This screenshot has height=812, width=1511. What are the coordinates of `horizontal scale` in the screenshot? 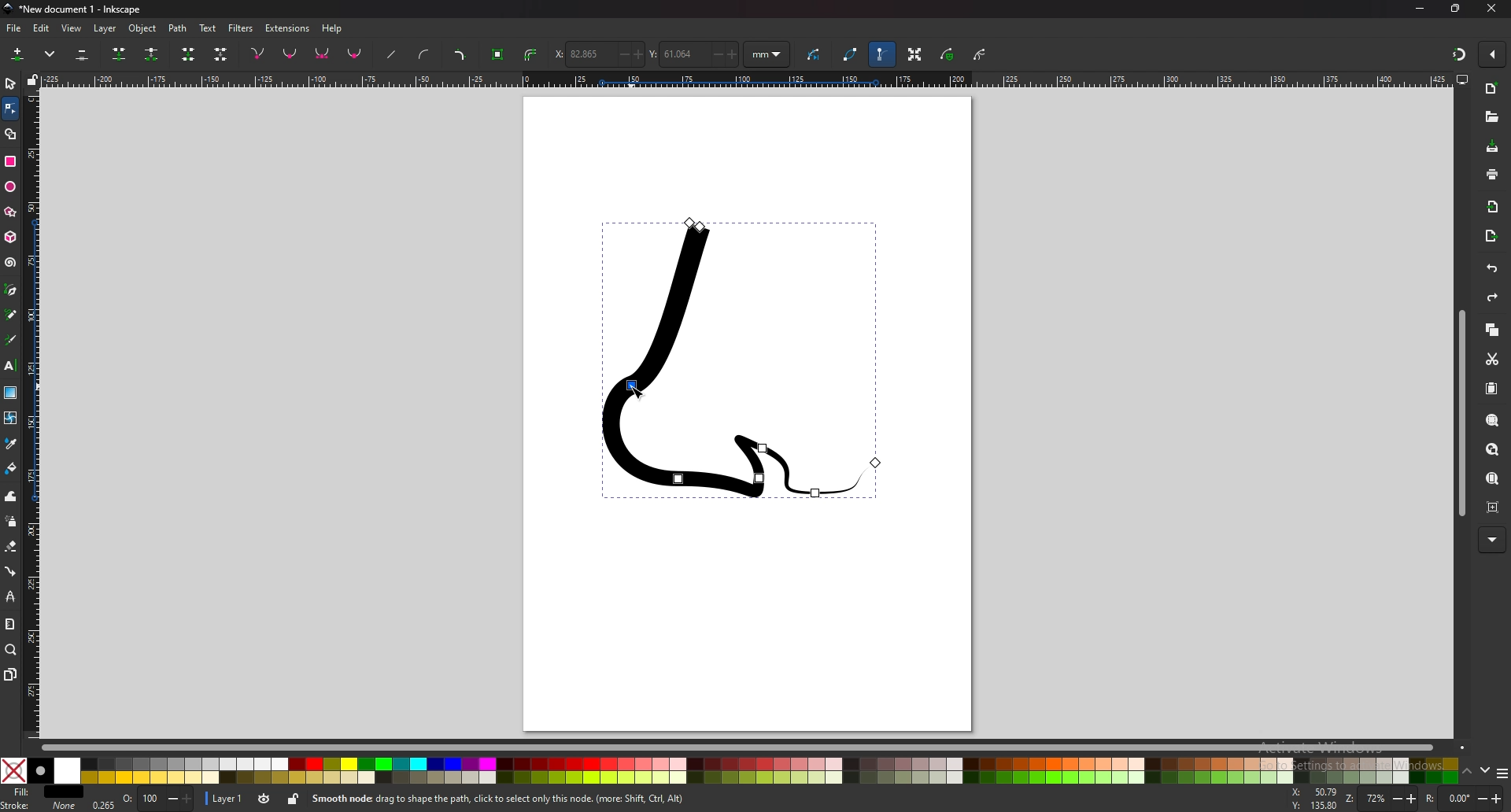 It's located at (744, 81).